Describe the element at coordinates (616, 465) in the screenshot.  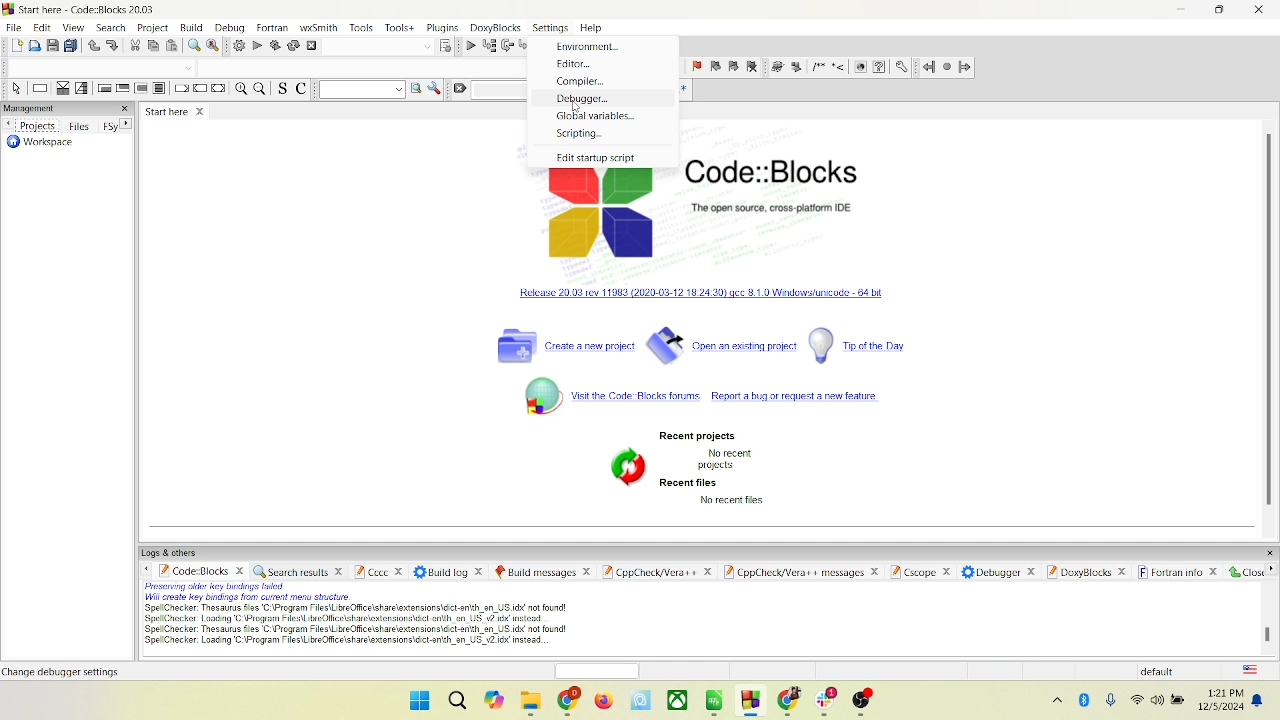
I see `symbol` at that location.